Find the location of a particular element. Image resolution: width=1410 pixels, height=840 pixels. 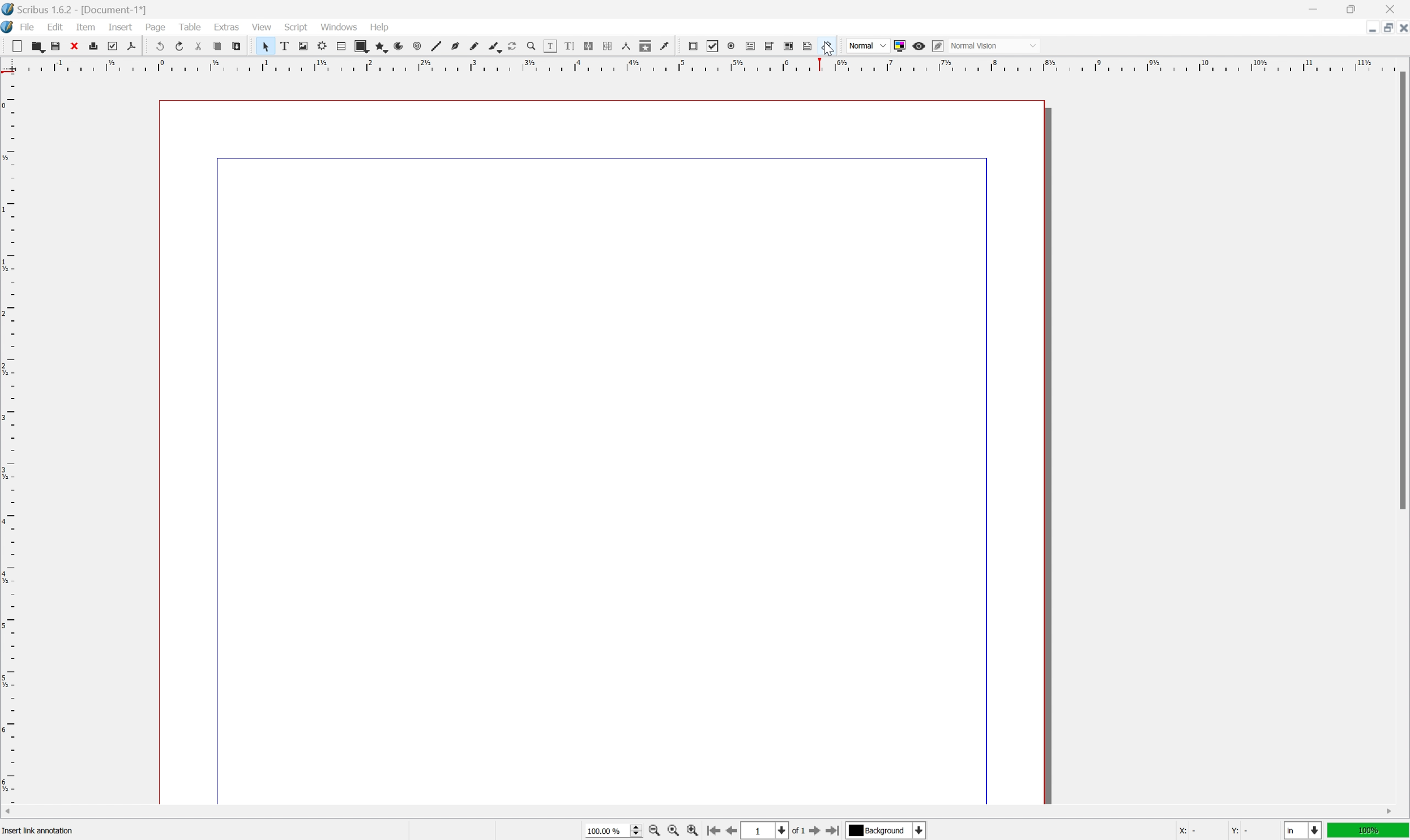

shape is located at coordinates (361, 46).